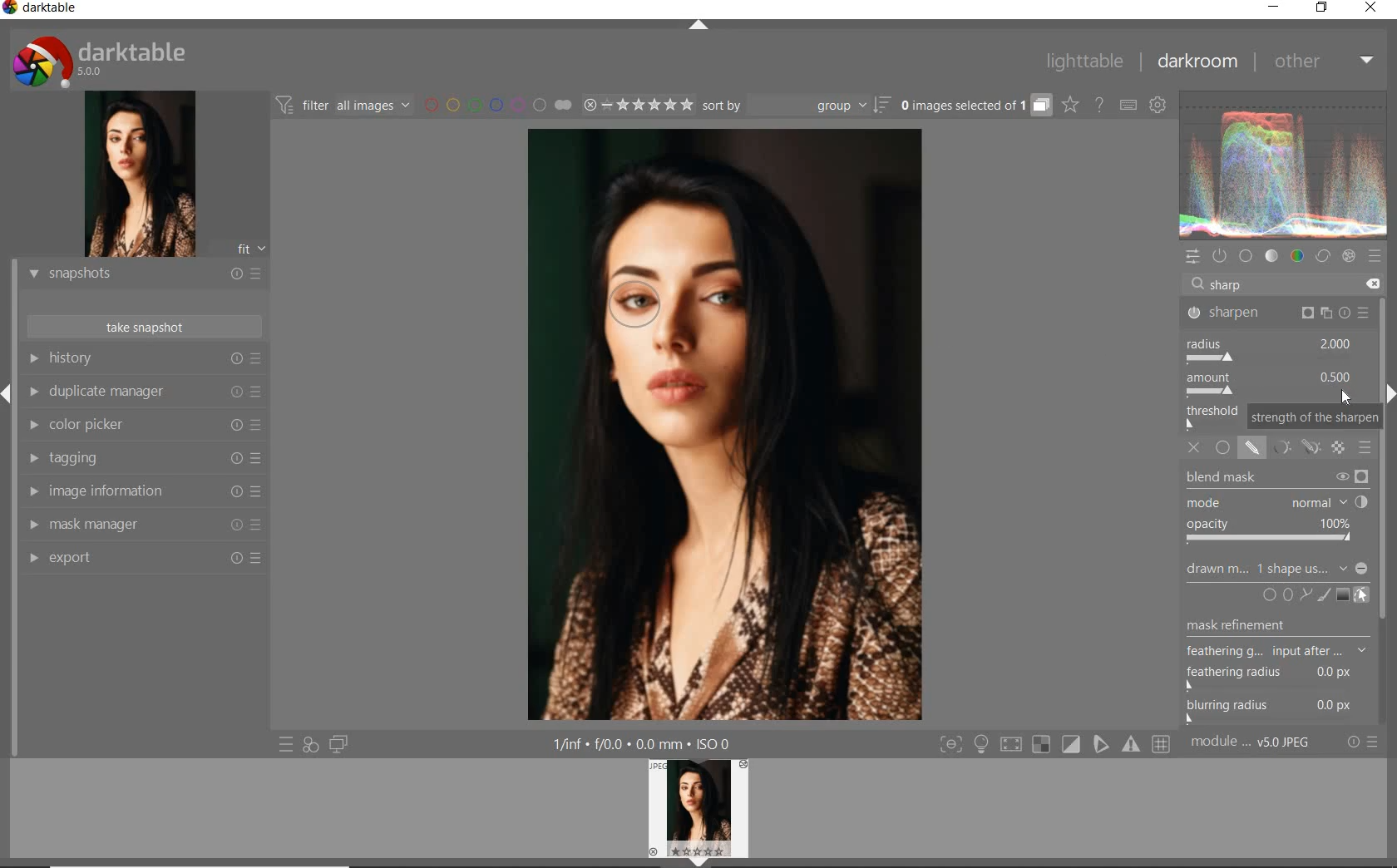  Describe the element at coordinates (1157, 101) in the screenshot. I see `show global preferences` at that location.